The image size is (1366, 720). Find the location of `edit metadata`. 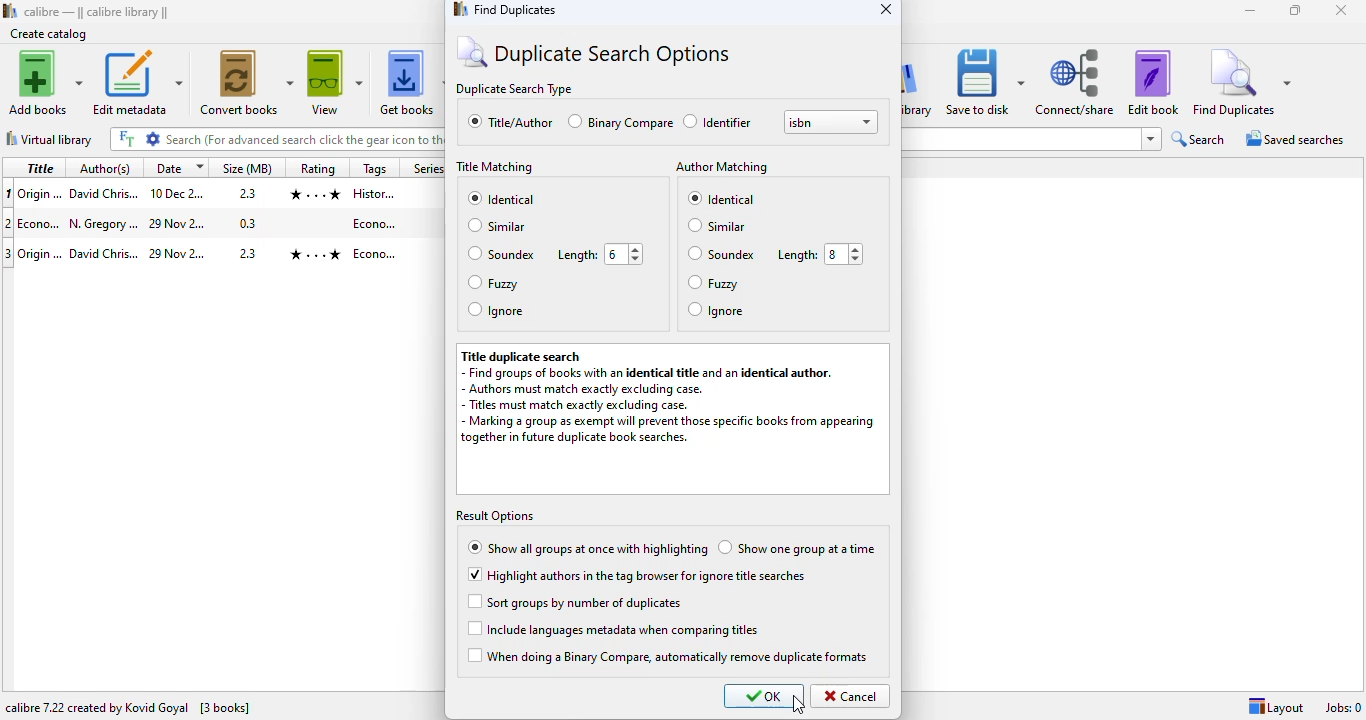

edit metadata is located at coordinates (139, 82).